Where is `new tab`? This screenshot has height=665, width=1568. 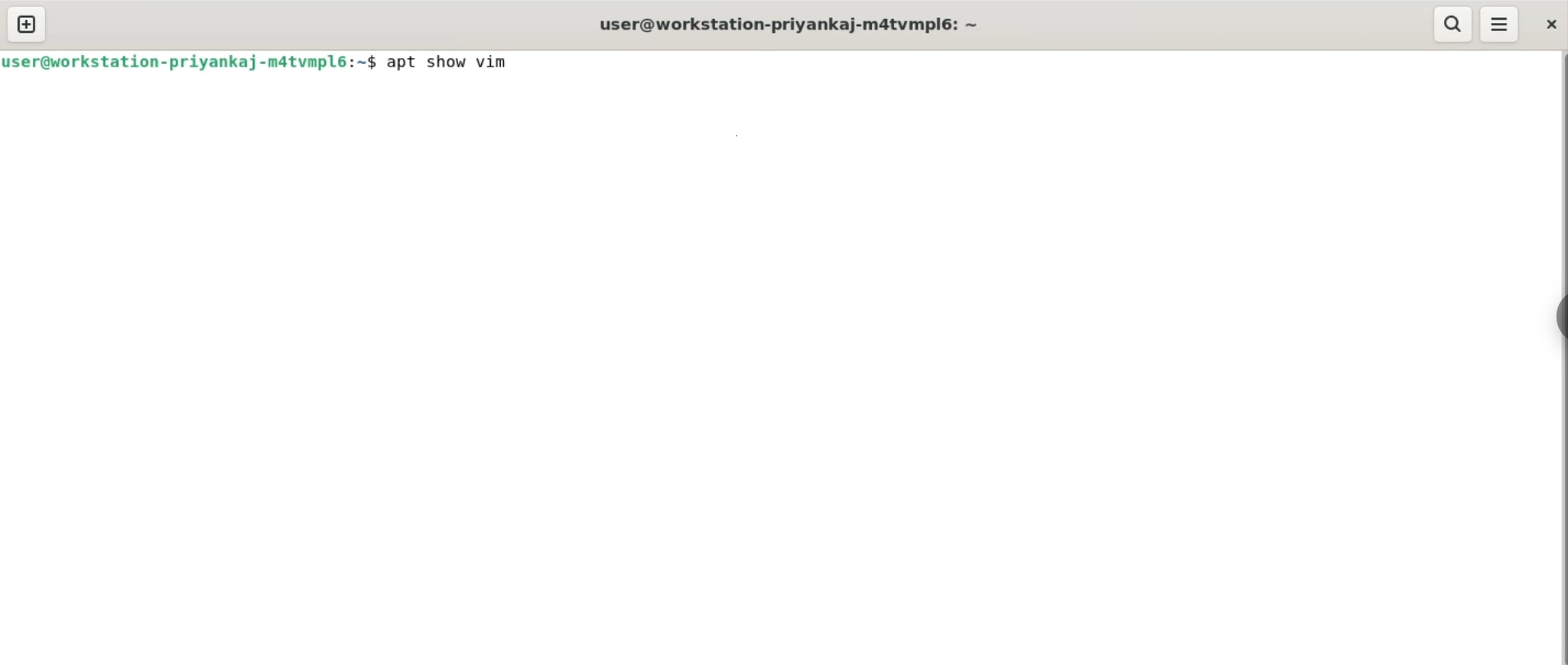
new tab is located at coordinates (26, 24).